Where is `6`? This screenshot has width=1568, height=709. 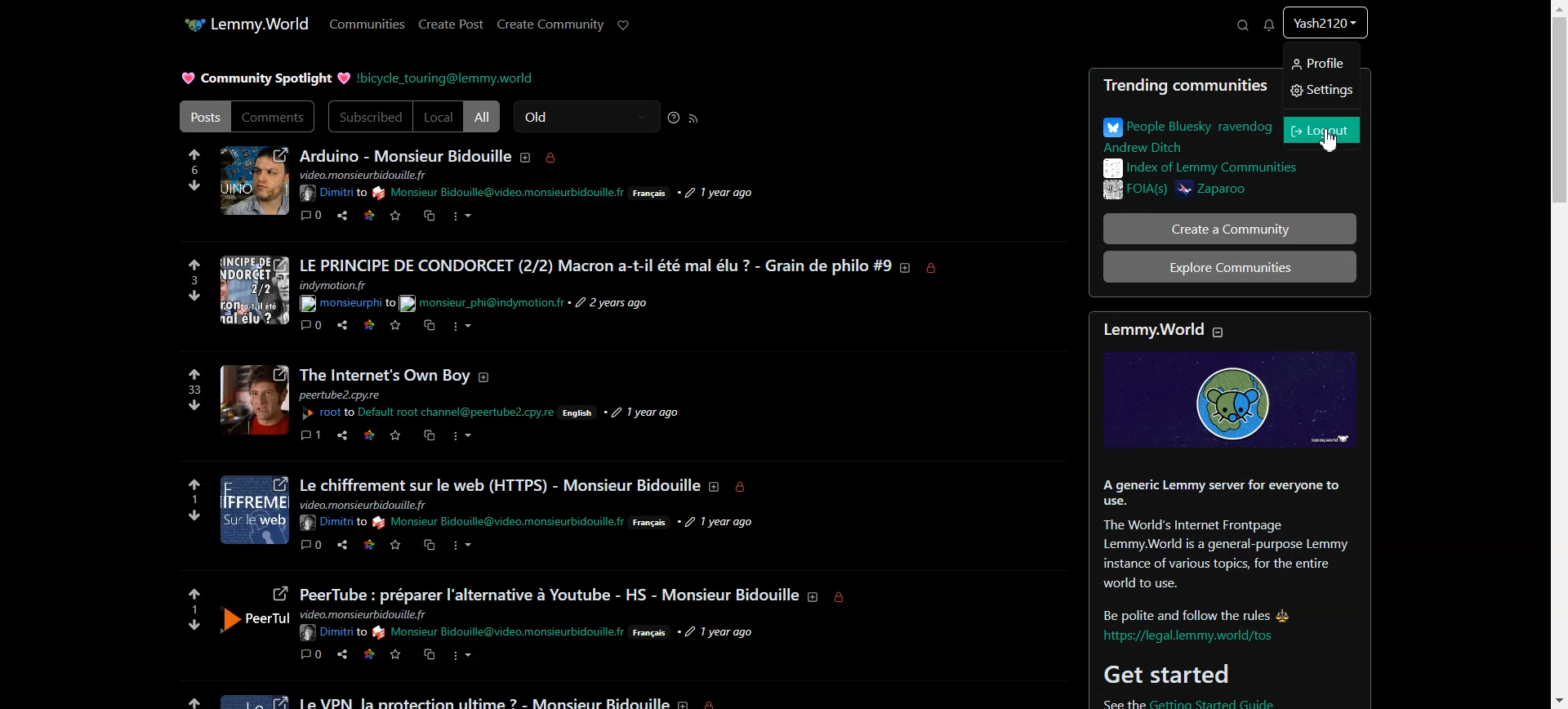
6 is located at coordinates (194, 168).